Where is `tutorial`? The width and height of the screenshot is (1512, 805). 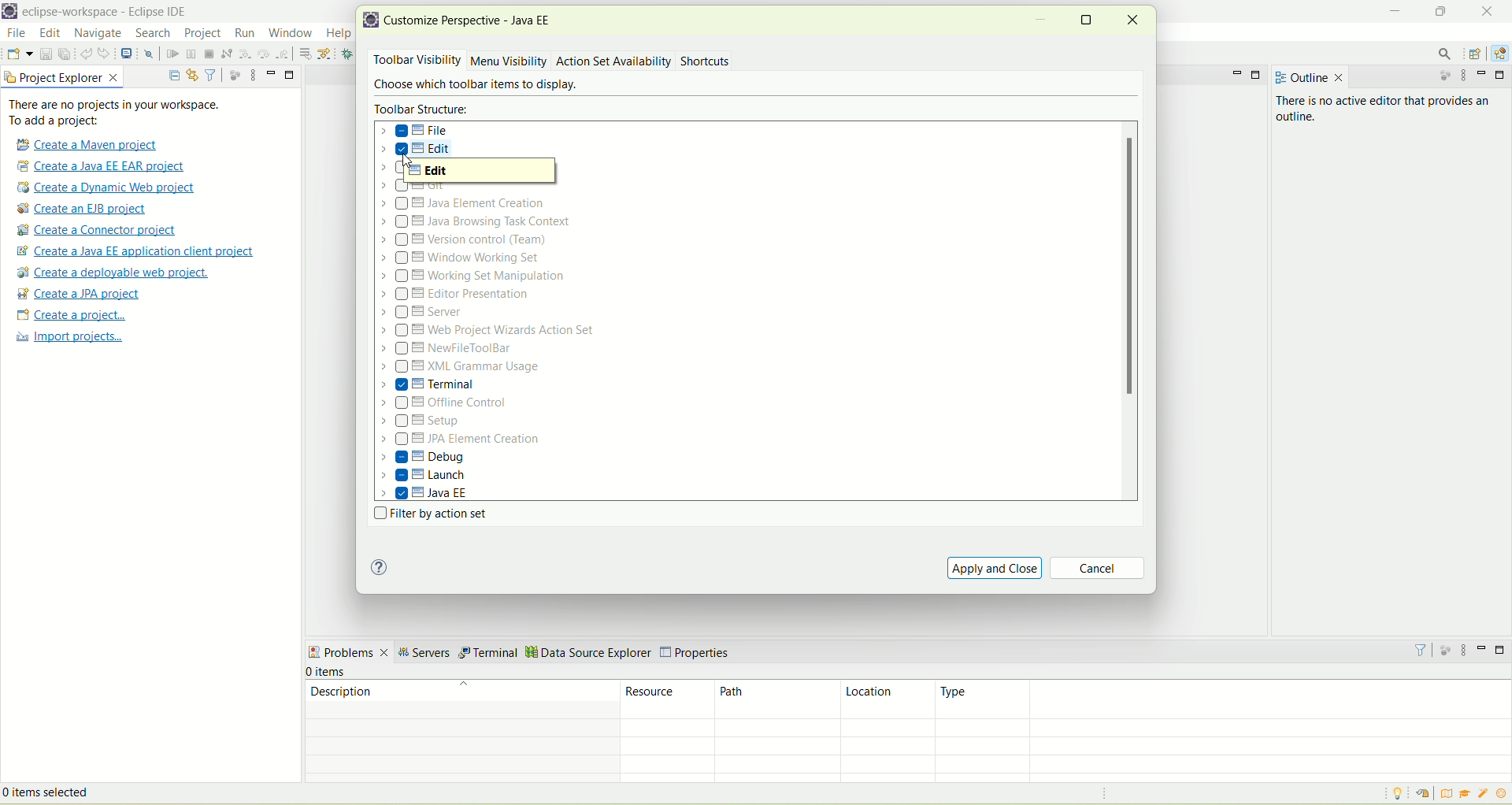
tutorial is located at coordinates (1466, 793).